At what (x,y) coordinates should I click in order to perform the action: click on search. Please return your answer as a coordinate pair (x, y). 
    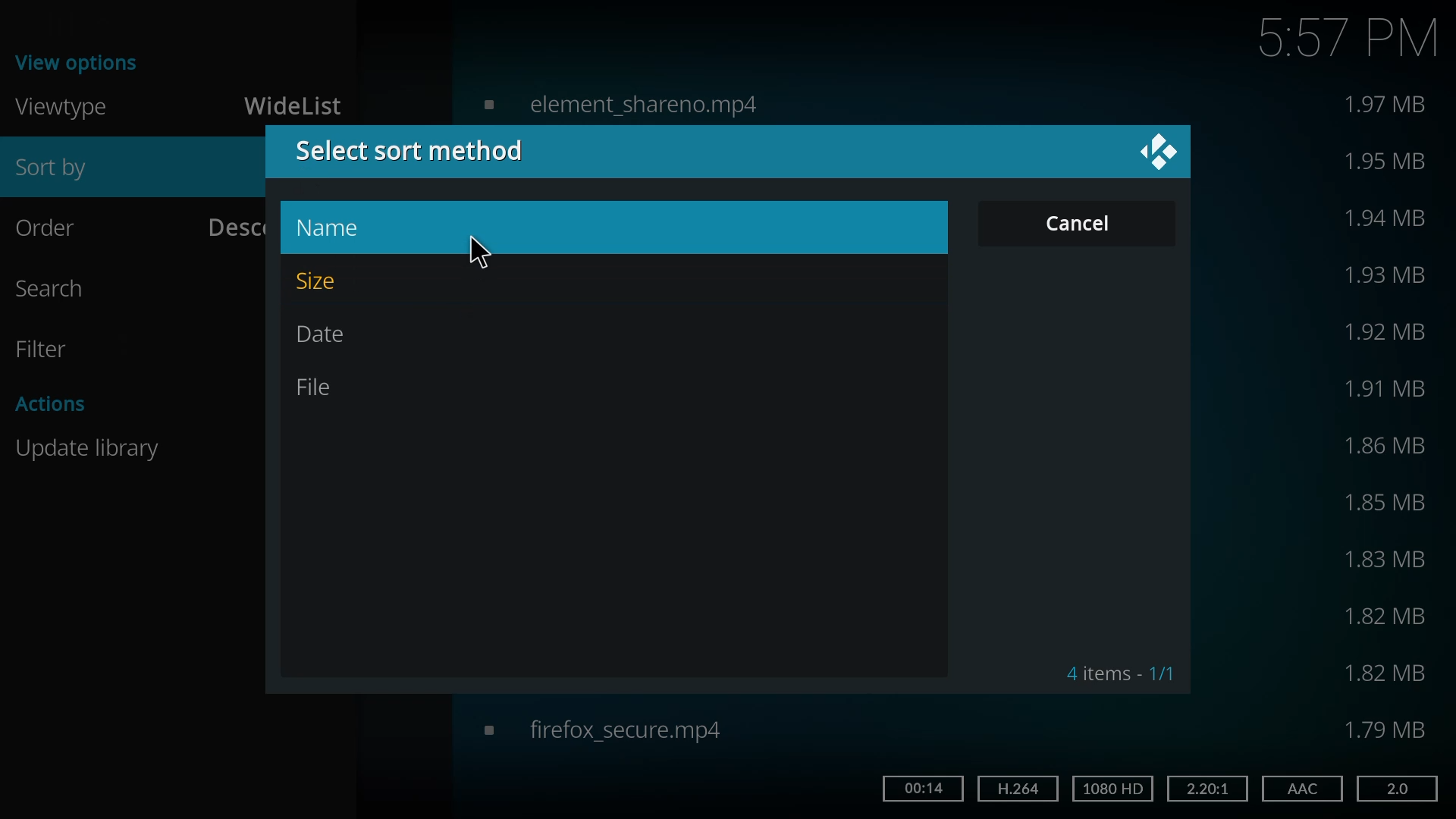
    Looking at the image, I should click on (61, 287).